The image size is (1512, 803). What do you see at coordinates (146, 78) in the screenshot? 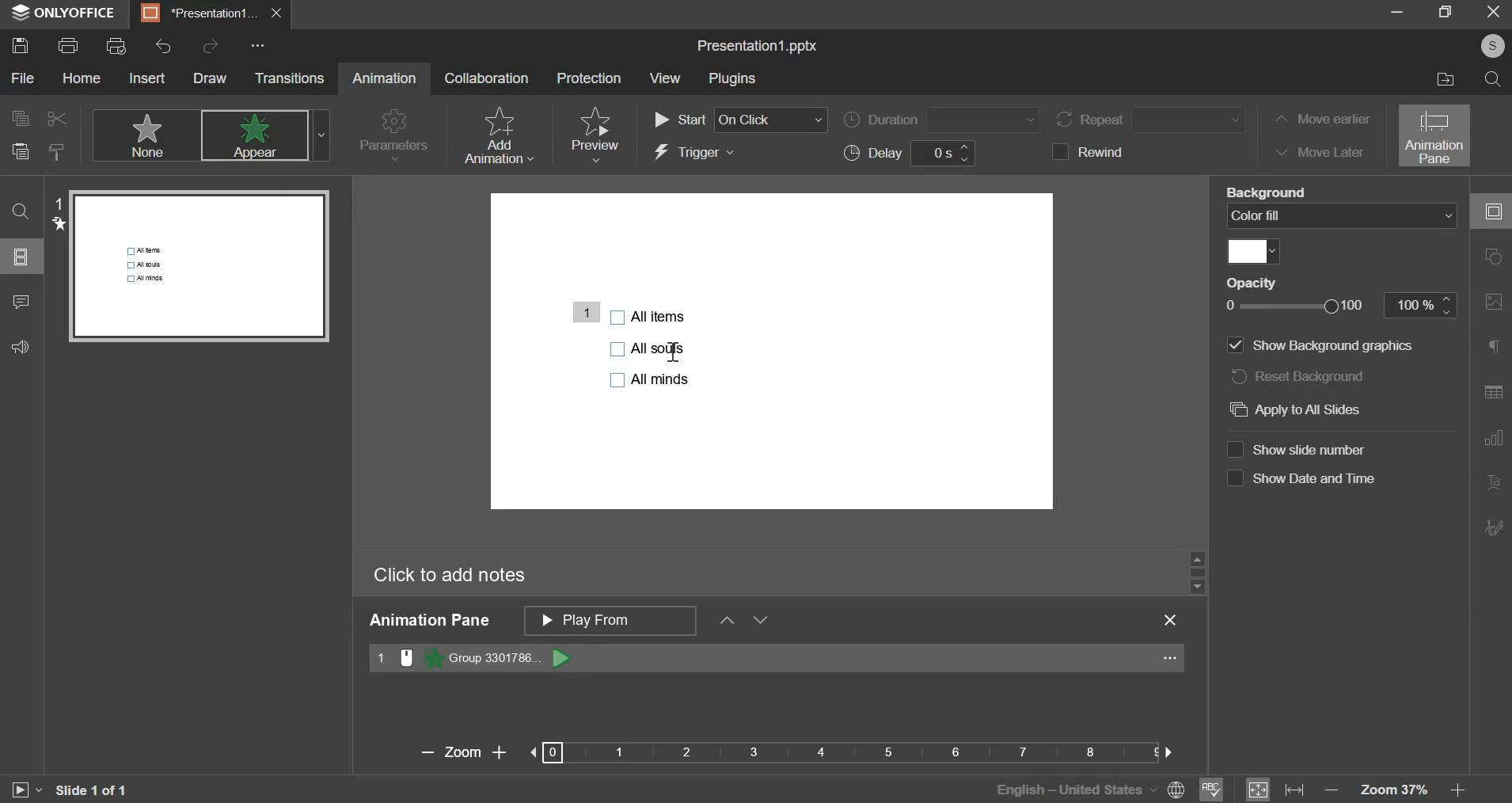
I see `insert` at bounding box center [146, 78].